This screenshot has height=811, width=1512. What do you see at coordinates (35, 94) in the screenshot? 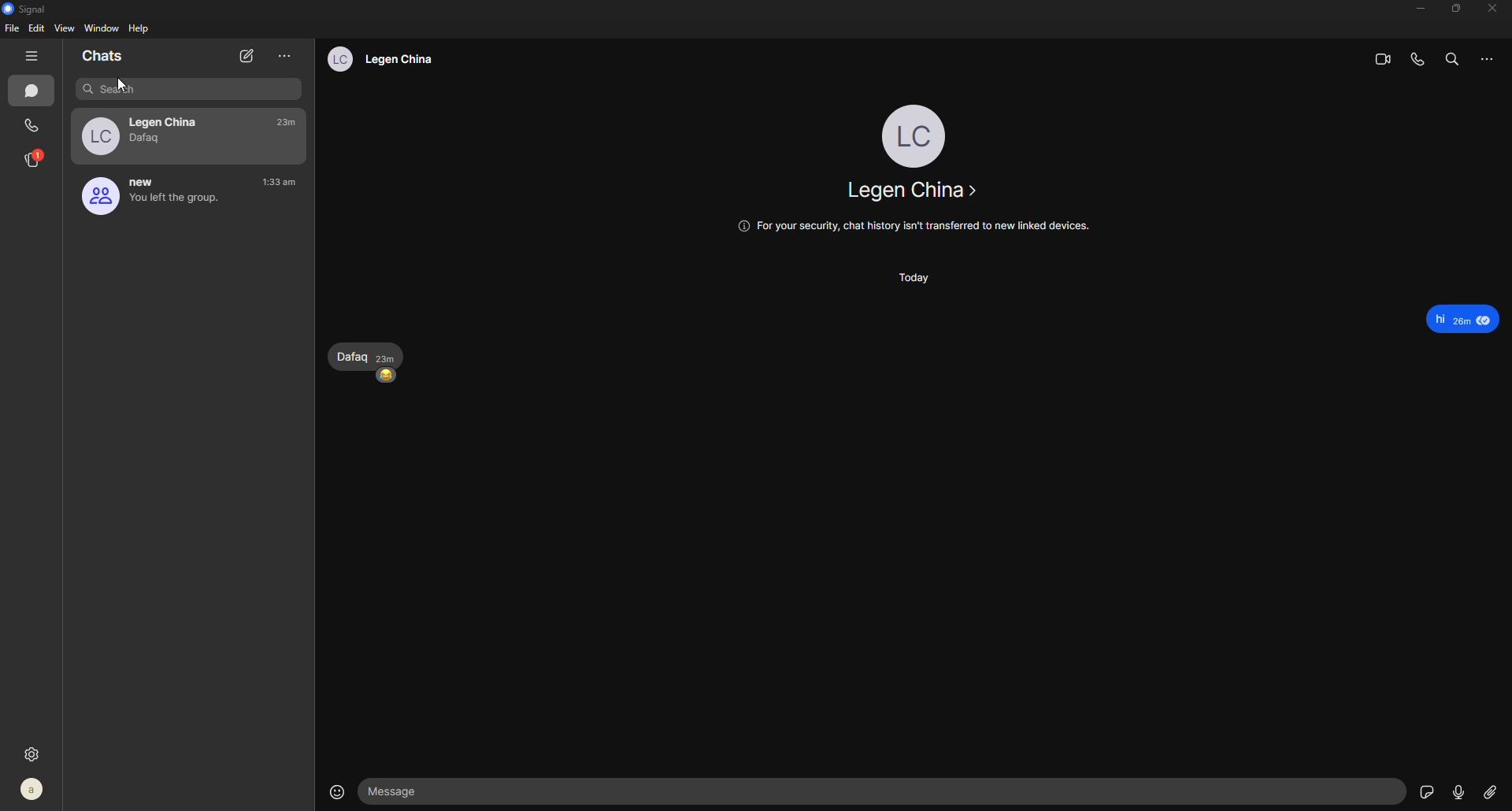
I see `chat` at bounding box center [35, 94].